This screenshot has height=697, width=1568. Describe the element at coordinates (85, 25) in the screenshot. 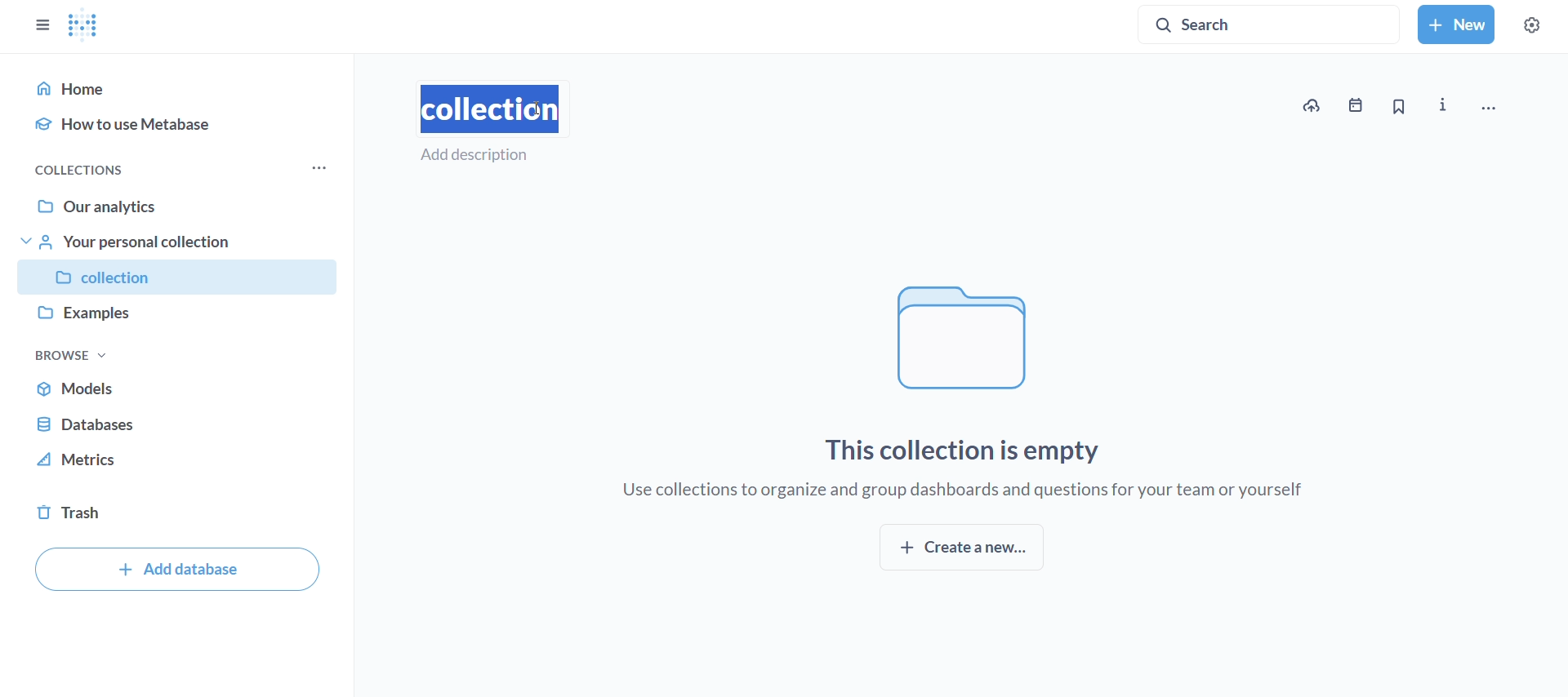

I see `metabase logo` at that location.